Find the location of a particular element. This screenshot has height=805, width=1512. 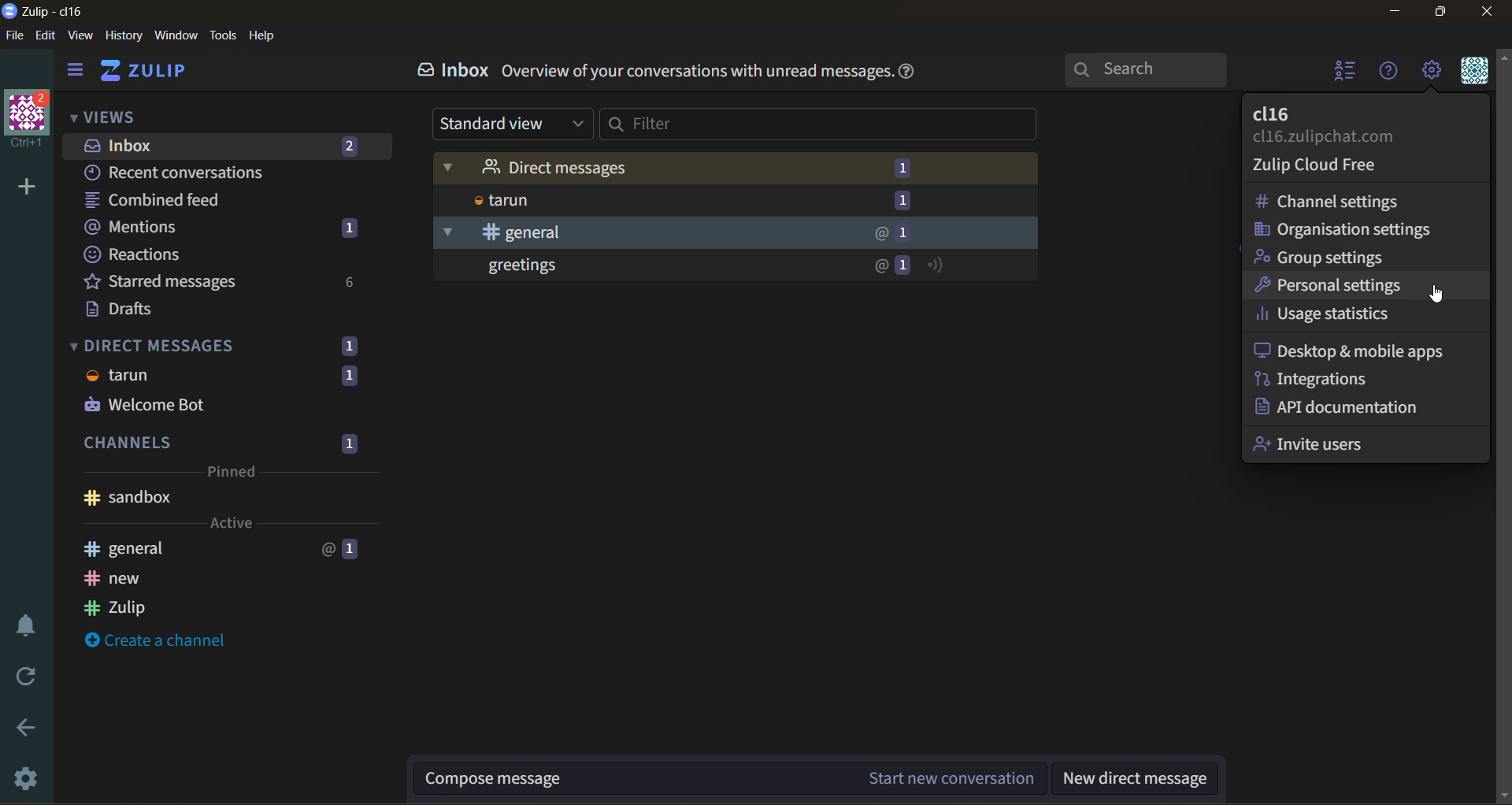

settings is located at coordinates (23, 782).